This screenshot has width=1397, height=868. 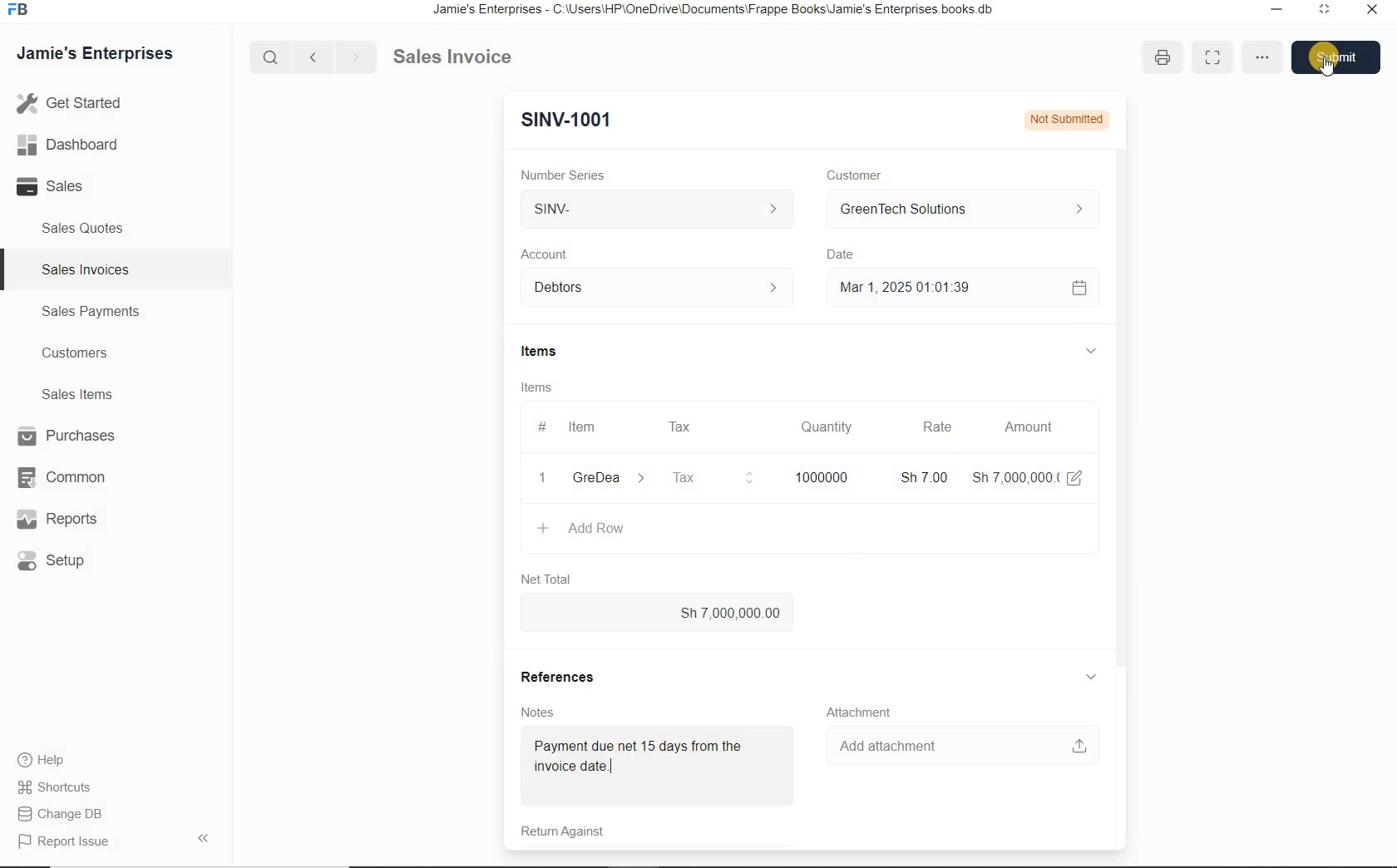 What do you see at coordinates (660, 211) in the screenshot?
I see `SINV-` at bounding box center [660, 211].